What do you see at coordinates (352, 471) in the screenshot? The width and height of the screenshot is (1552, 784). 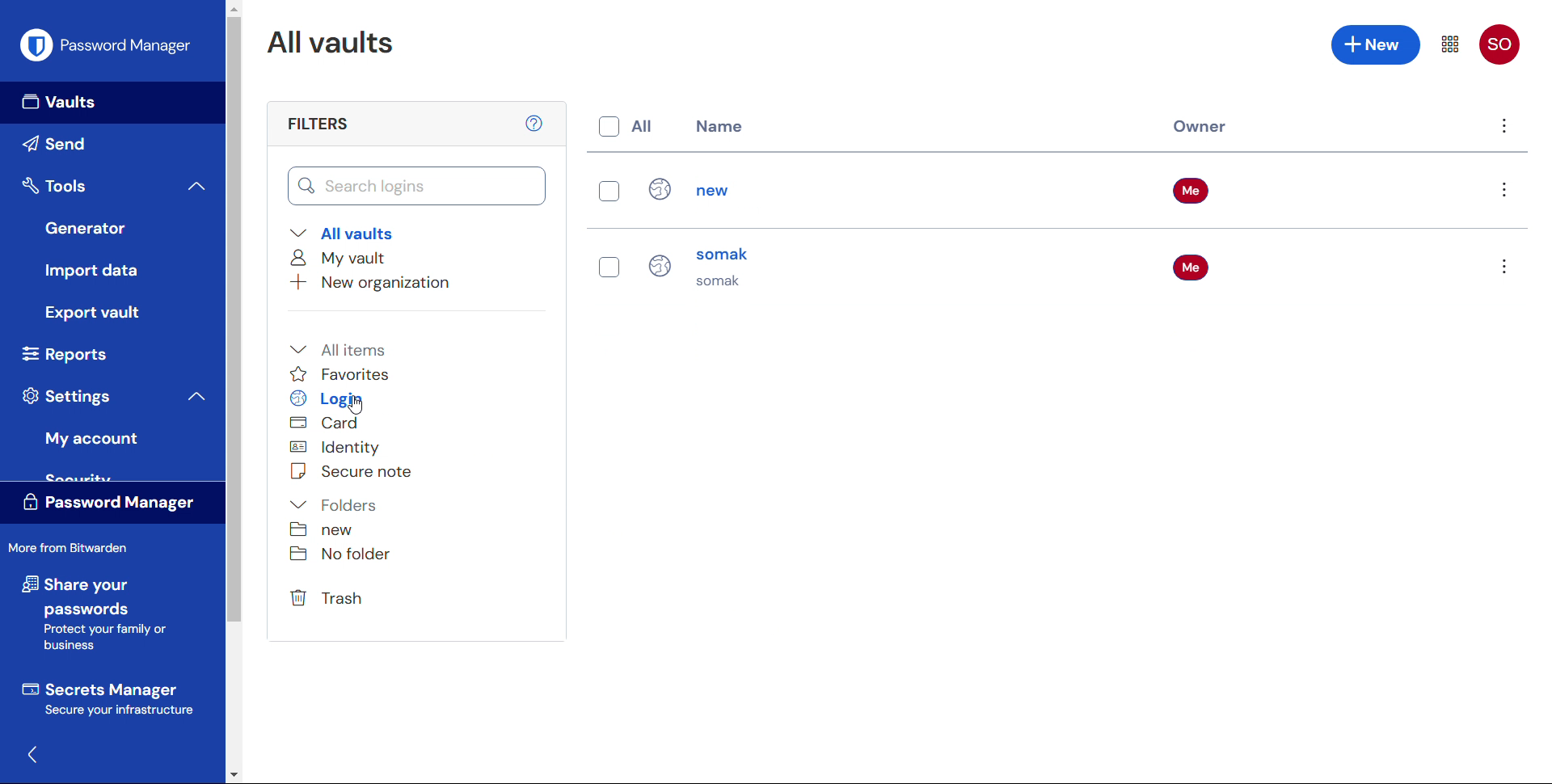 I see `Secure note ` at bounding box center [352, 471].